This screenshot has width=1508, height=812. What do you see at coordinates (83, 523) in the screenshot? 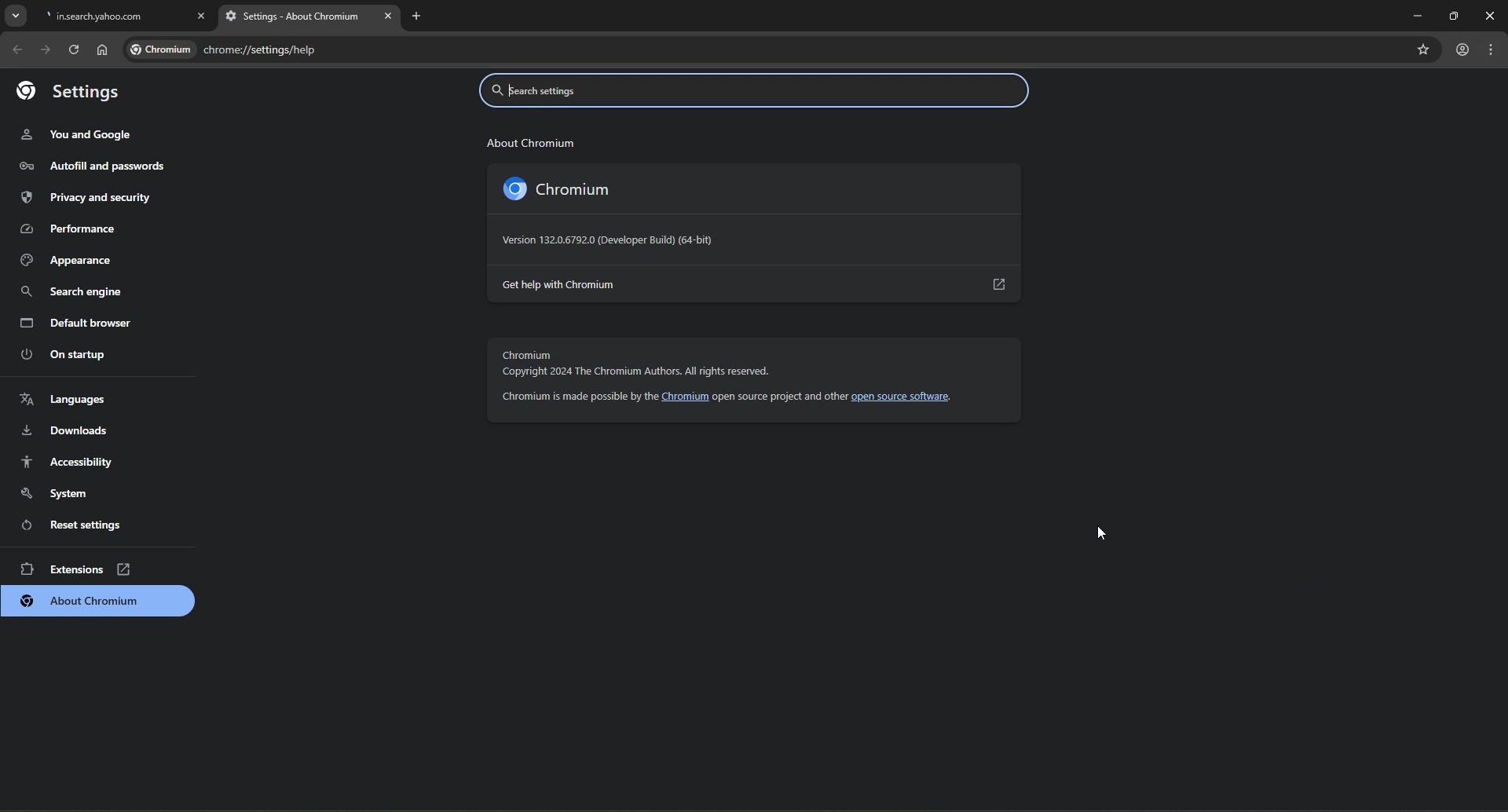
I see `Reset setting` at bounding box center [83, 523].